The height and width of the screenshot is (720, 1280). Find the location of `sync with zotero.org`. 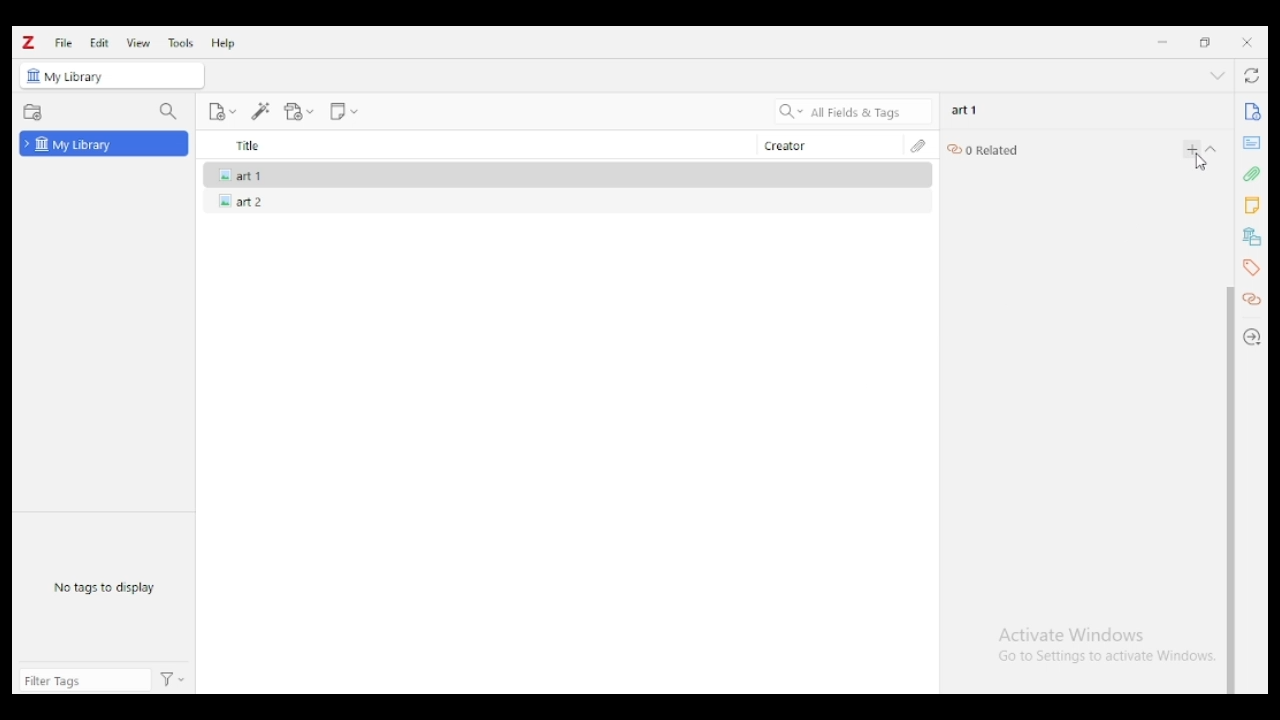

sync with zotero.org is located at coordinates (1254, 75).